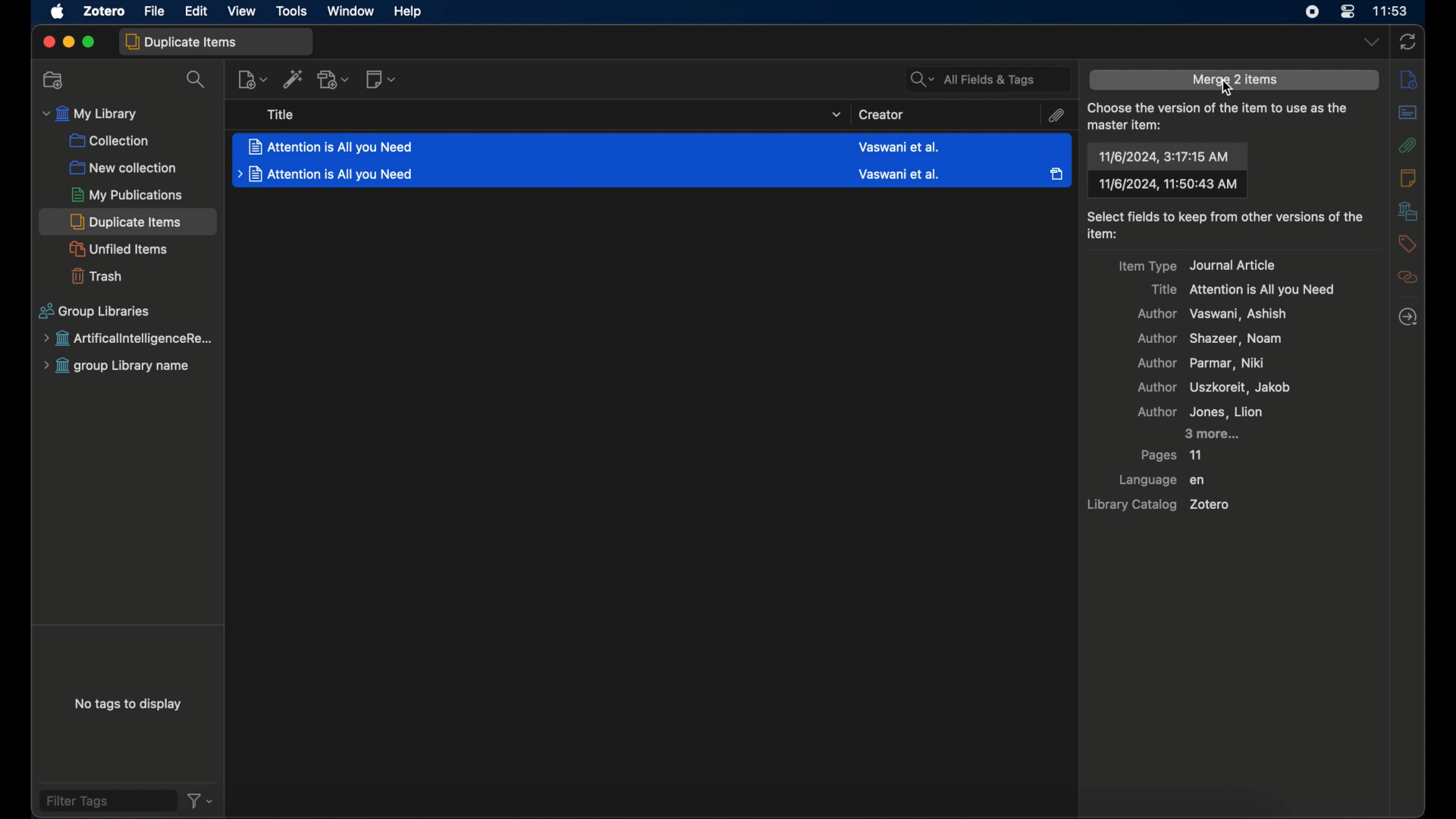 The image size is (1456, 819). What do you see at coordinates (129, 222) in the screenshot?
I see `duplicate items selected` at bounding box center [129, 222].